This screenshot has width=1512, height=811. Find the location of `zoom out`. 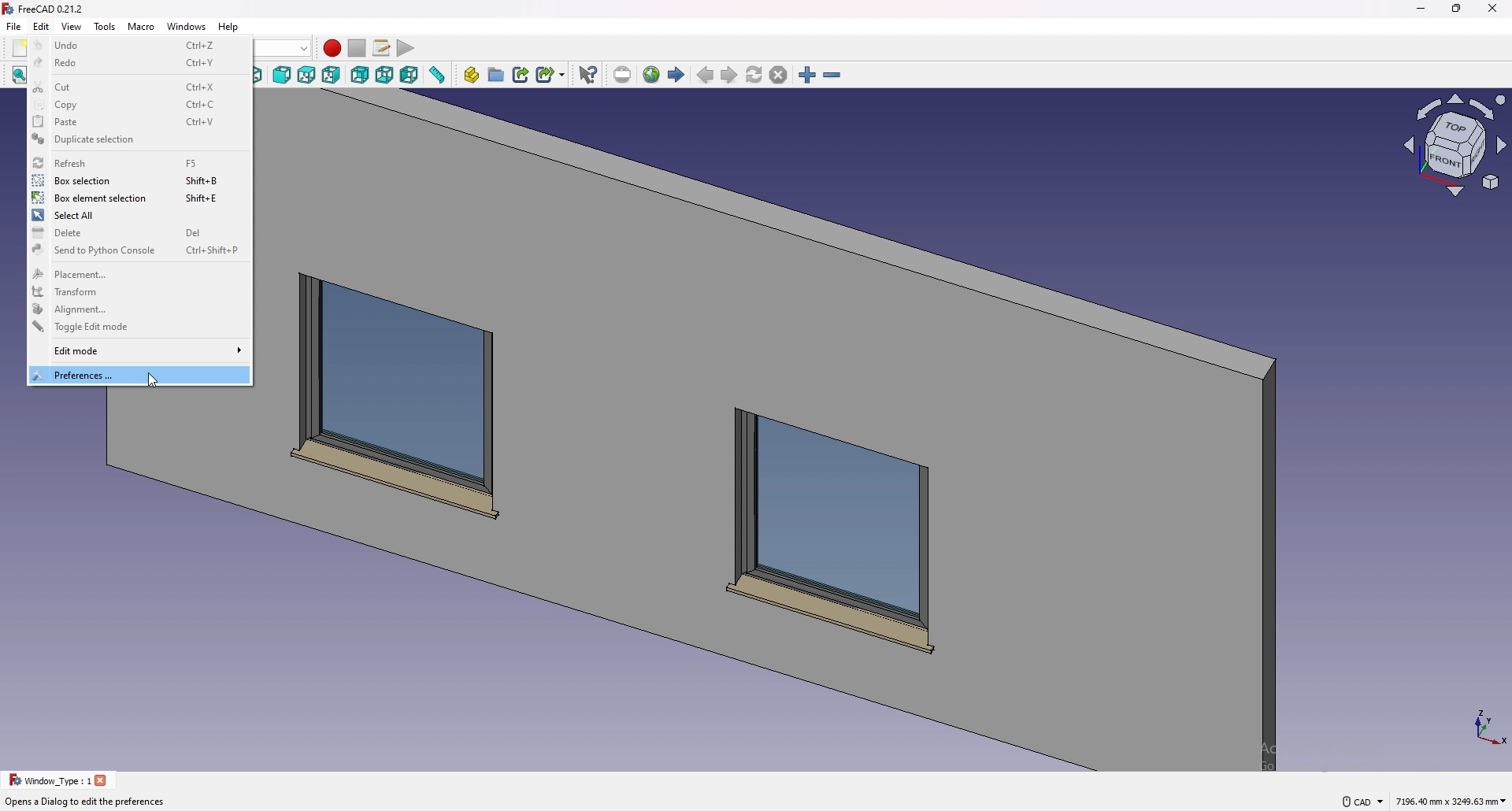

zoom out is located at coordinates (832, 76).